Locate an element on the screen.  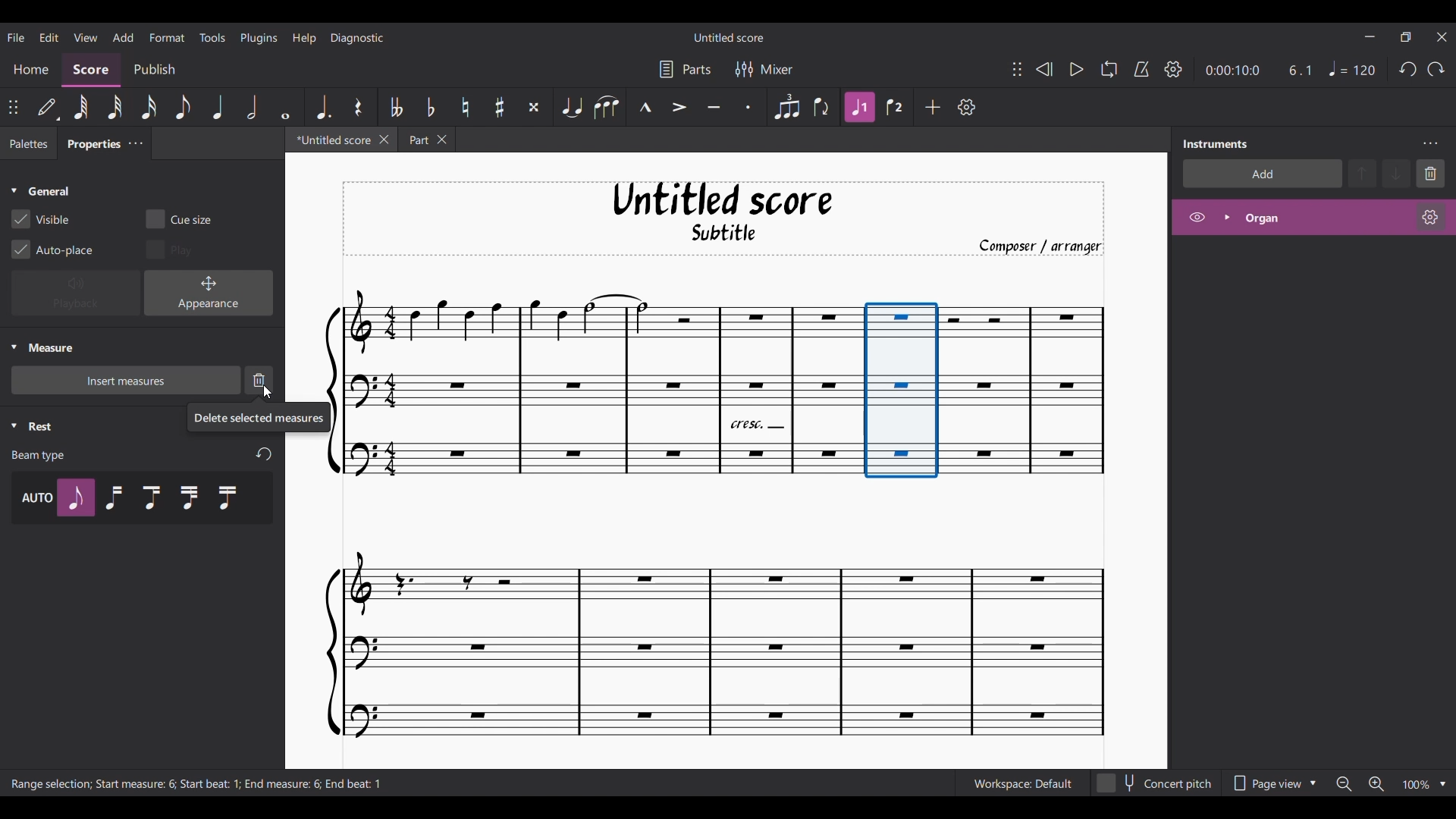
Customize toolbar is located at coordinates (967, 107).